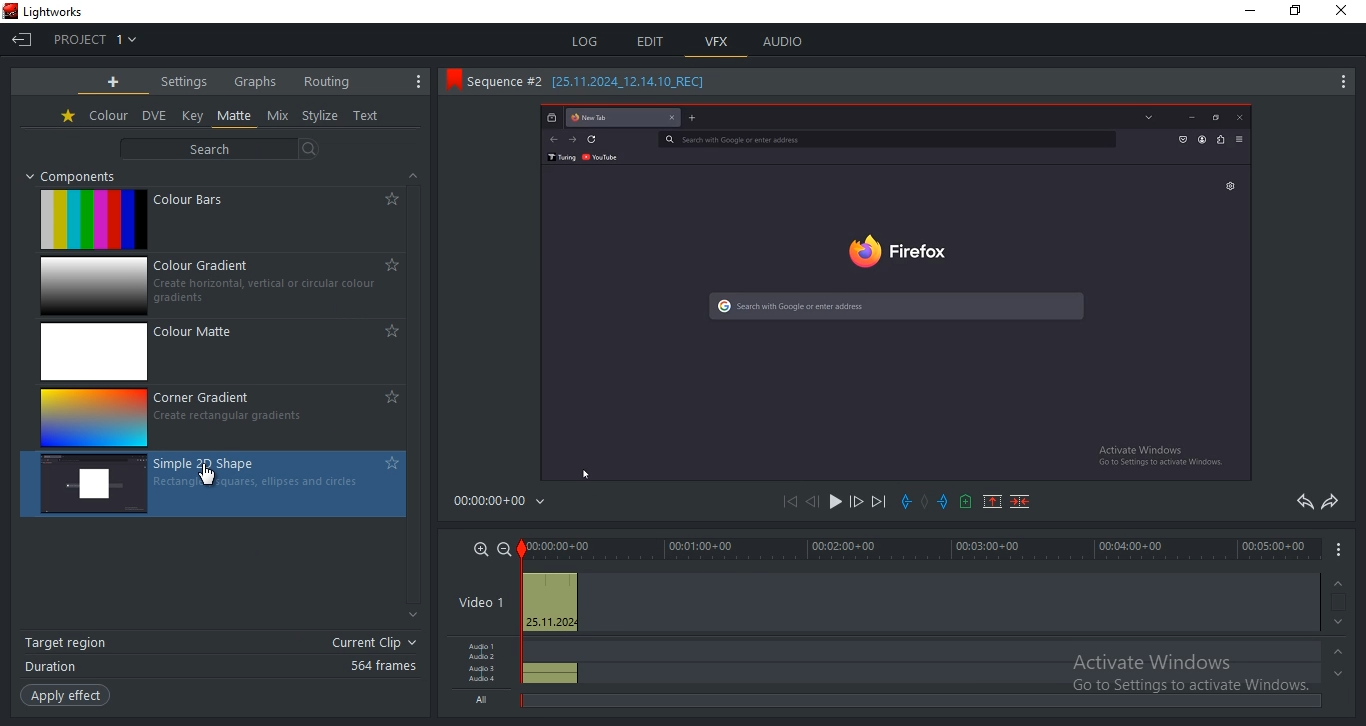 The width and height of the screenshot is (1366, 726). I want to click on key, so click(193, 115).